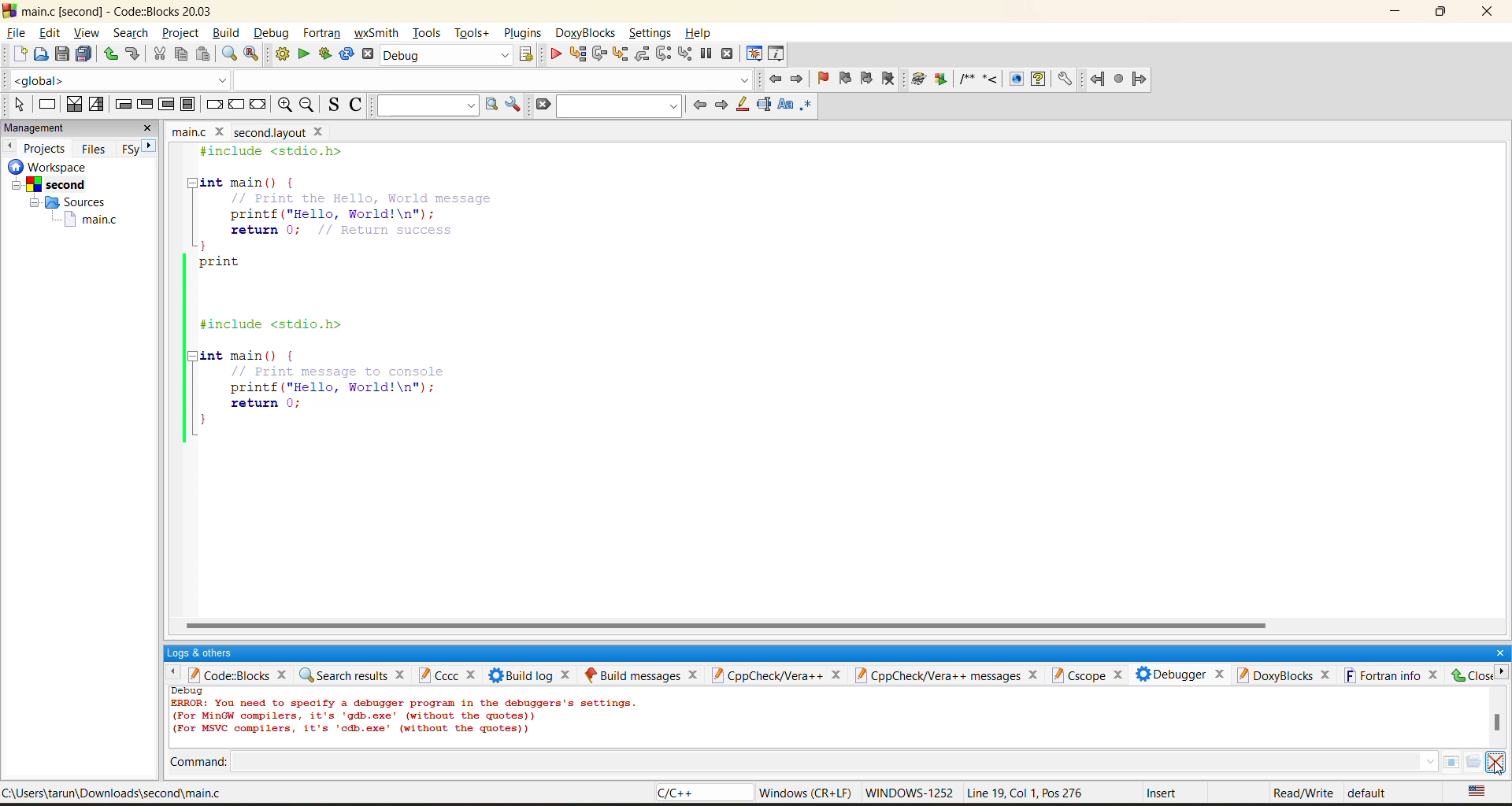  I want to click on highlight, so click(743, 105).